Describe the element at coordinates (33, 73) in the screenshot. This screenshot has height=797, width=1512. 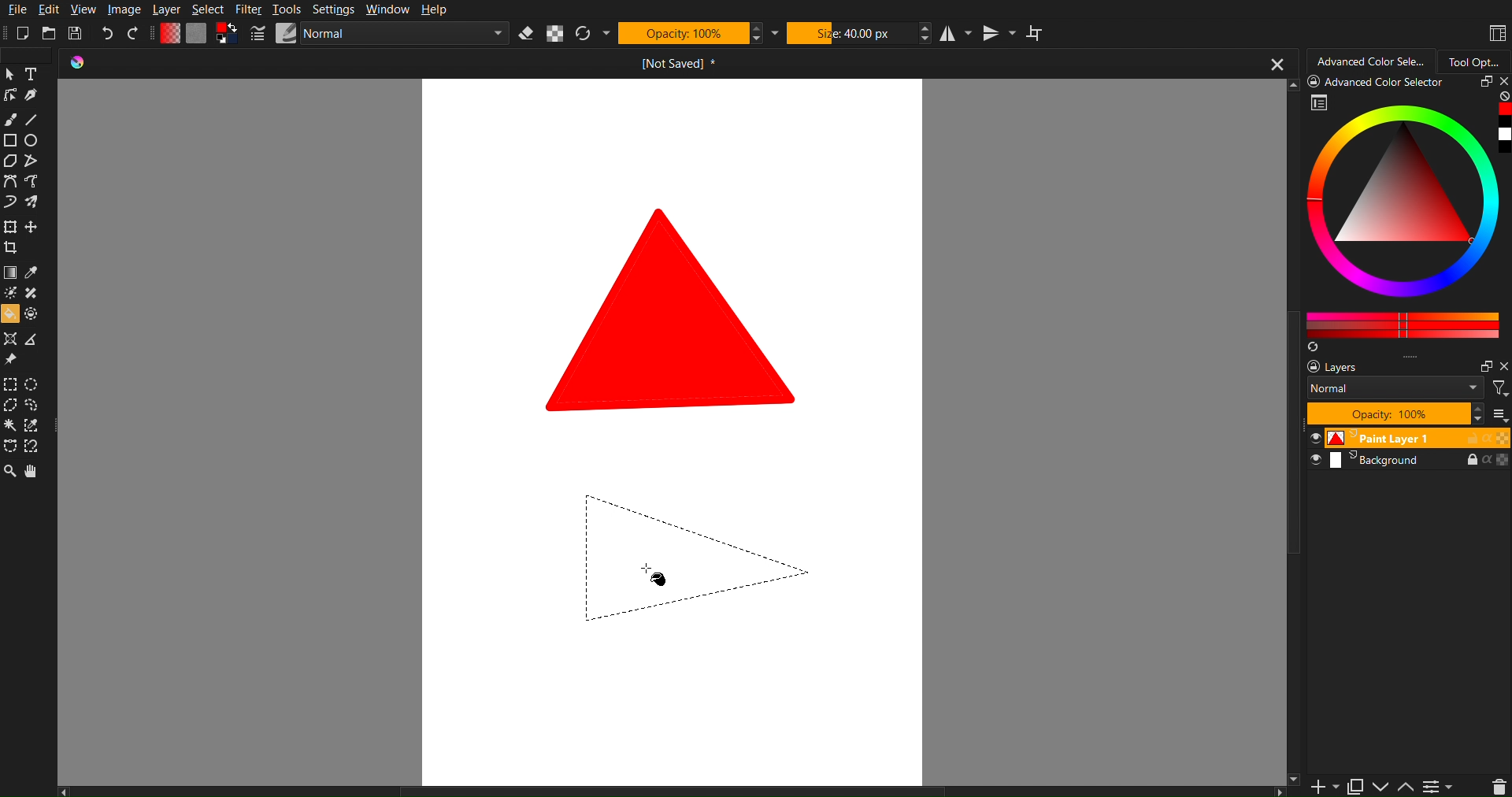
I see `Text` at that location.